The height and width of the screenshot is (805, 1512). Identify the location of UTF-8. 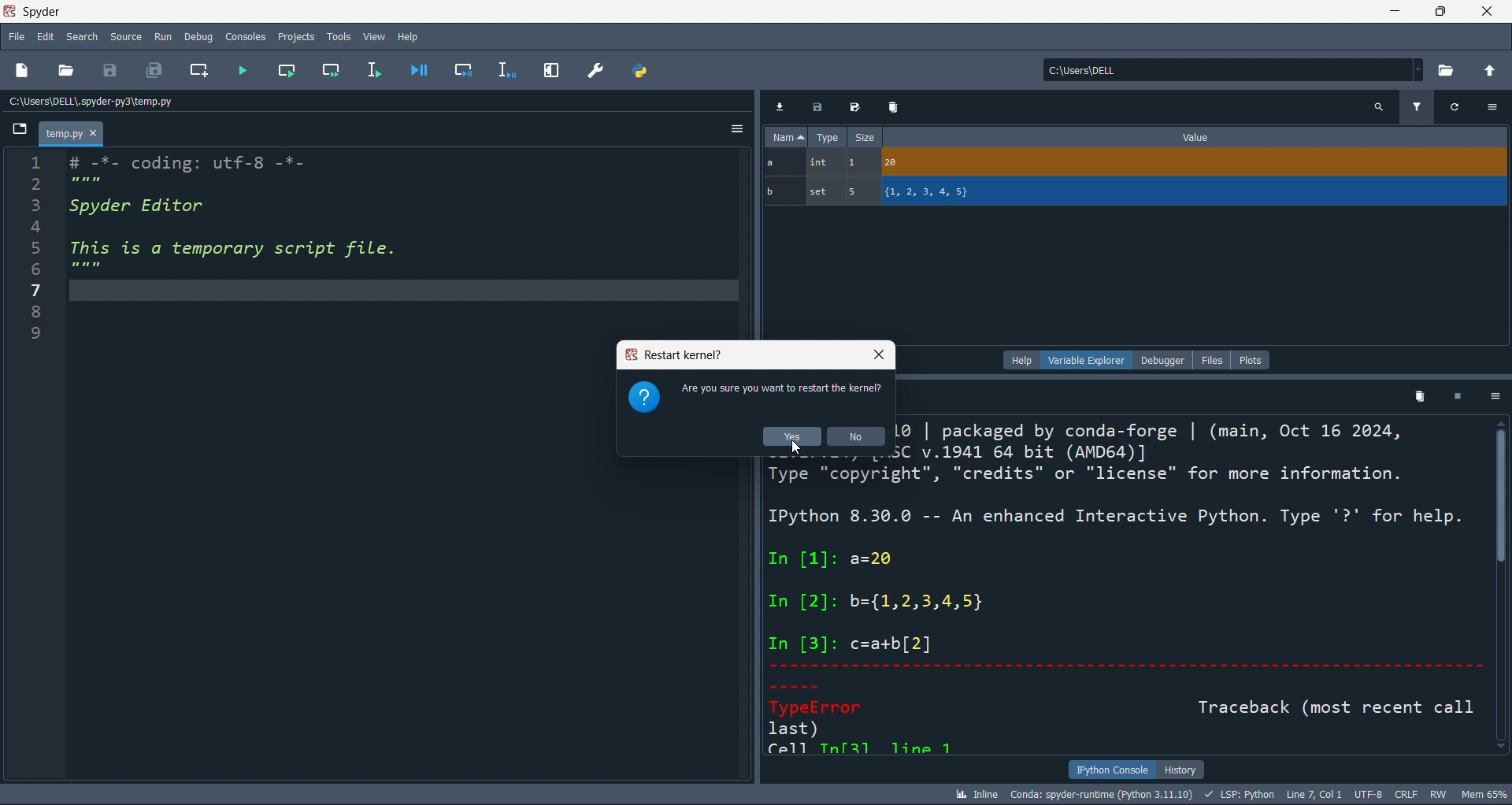
(1369, 795).